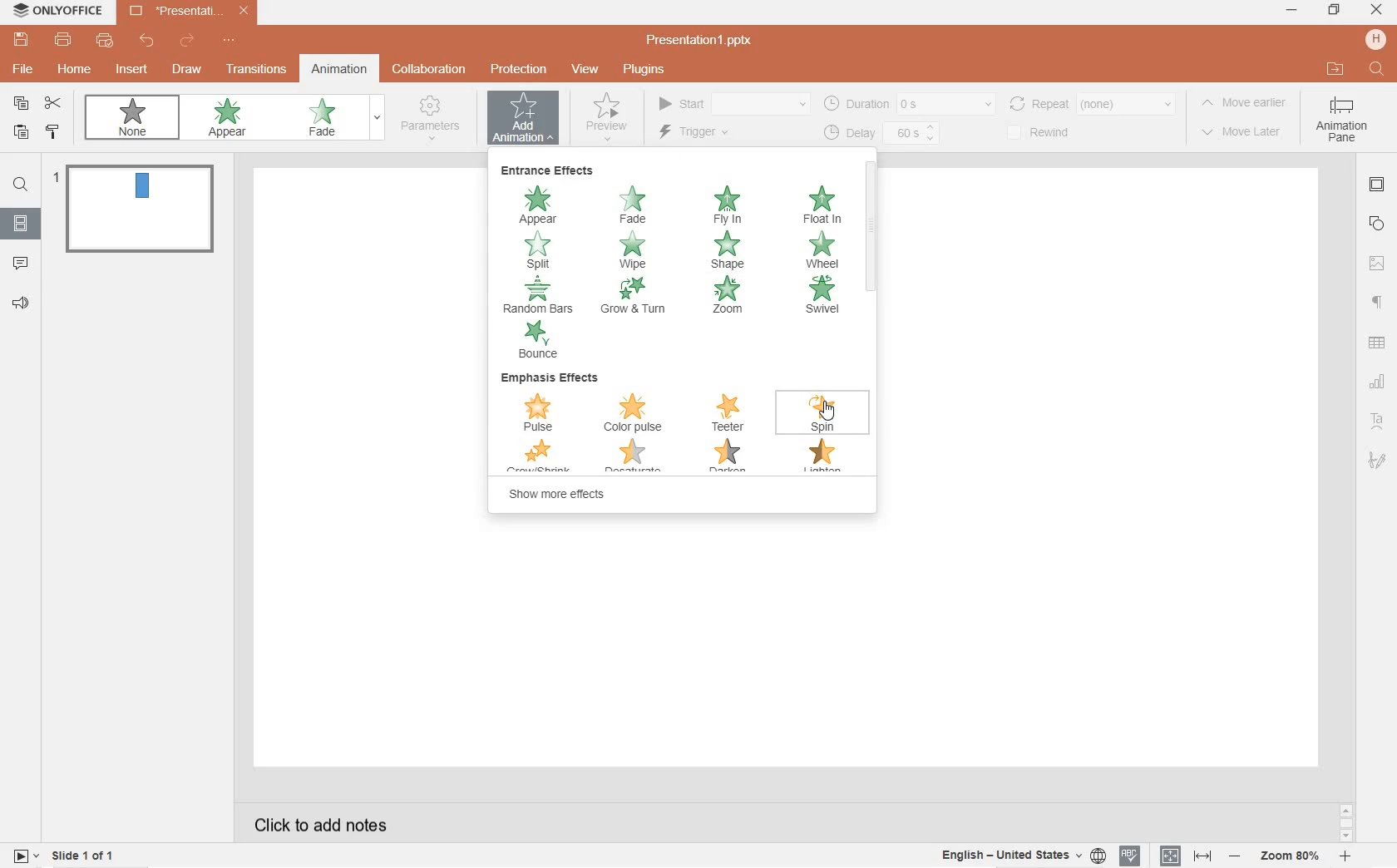 The image size is (1397, 868). What do you see at coordinates (1377, 264) in the screenshot?
I see `image settings` at bounding box center [1377, 264].